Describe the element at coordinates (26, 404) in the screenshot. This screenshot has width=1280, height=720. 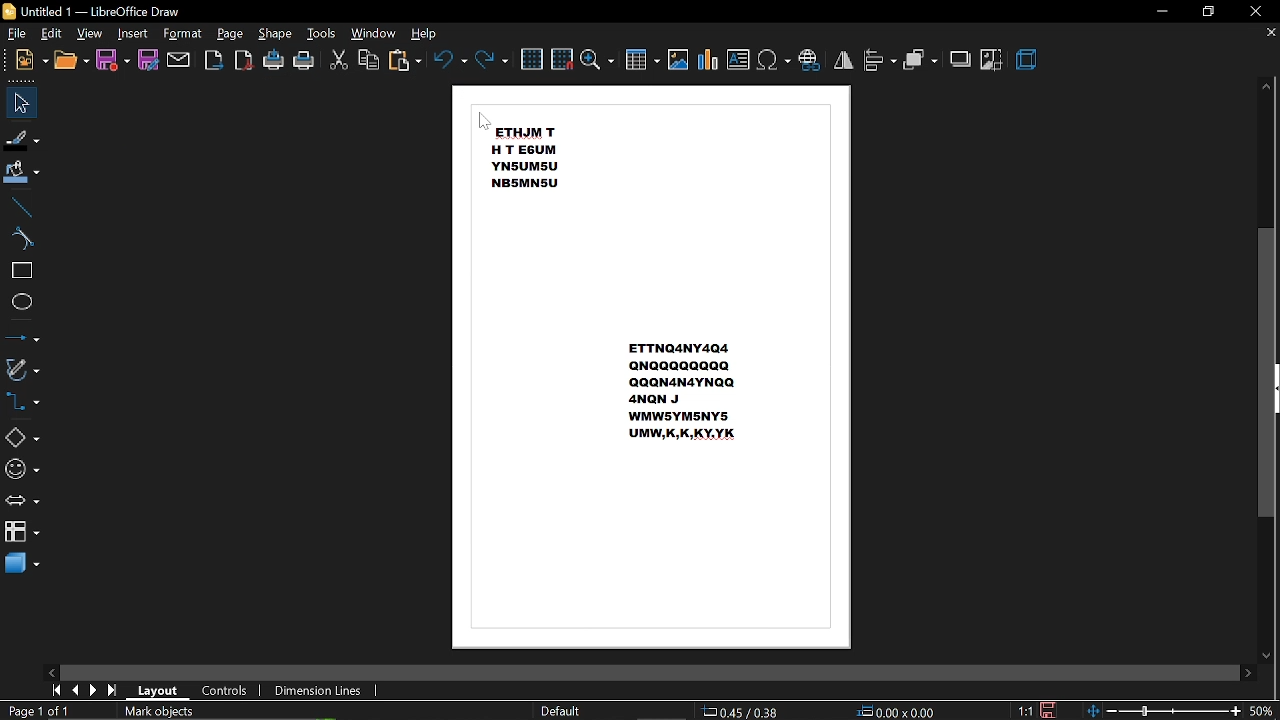
I see `connector` at that location.